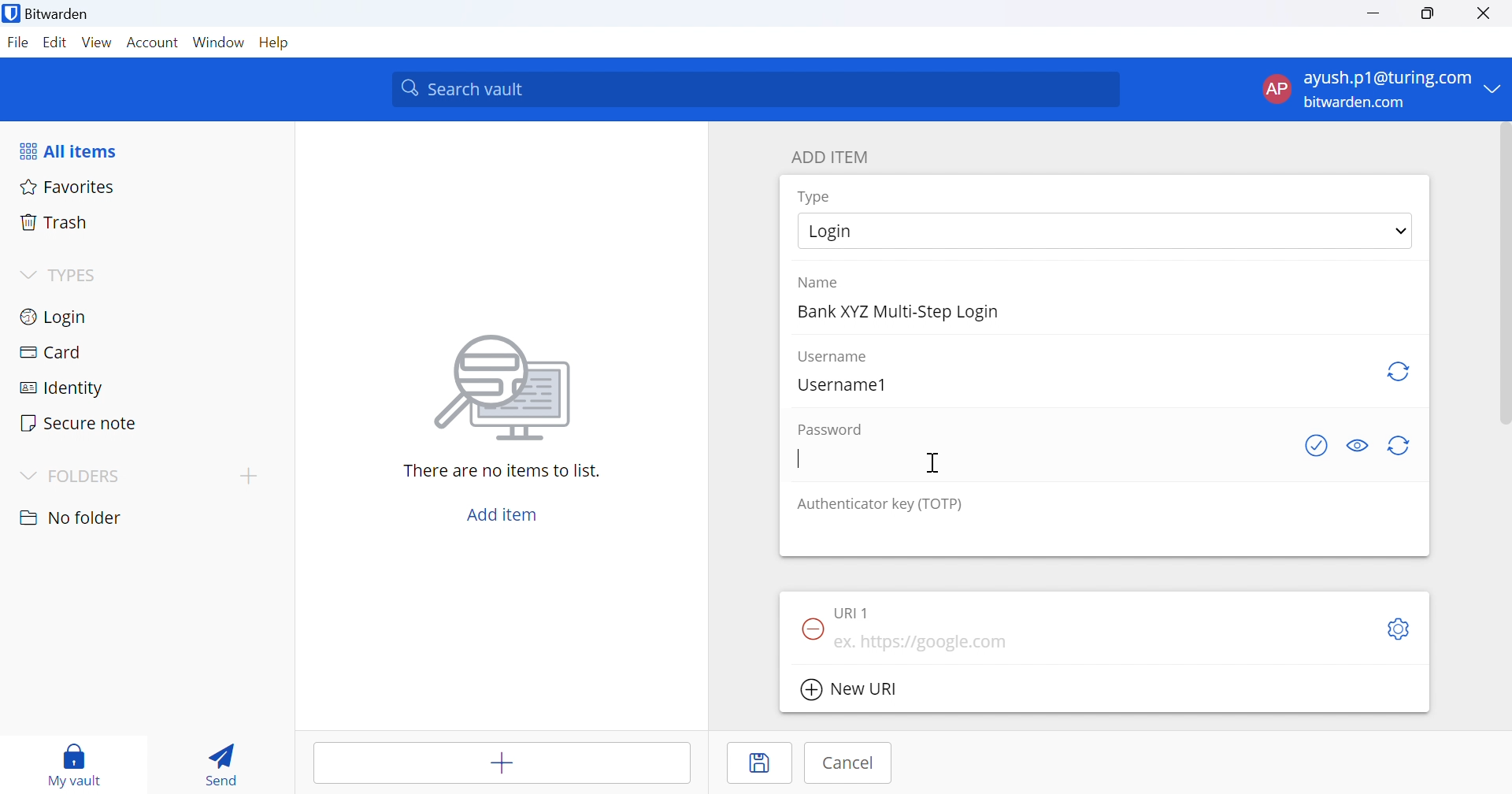 Image resolution: width=1512 pixels, height=794 pixels. I want to click on Name, so click(821, 283).